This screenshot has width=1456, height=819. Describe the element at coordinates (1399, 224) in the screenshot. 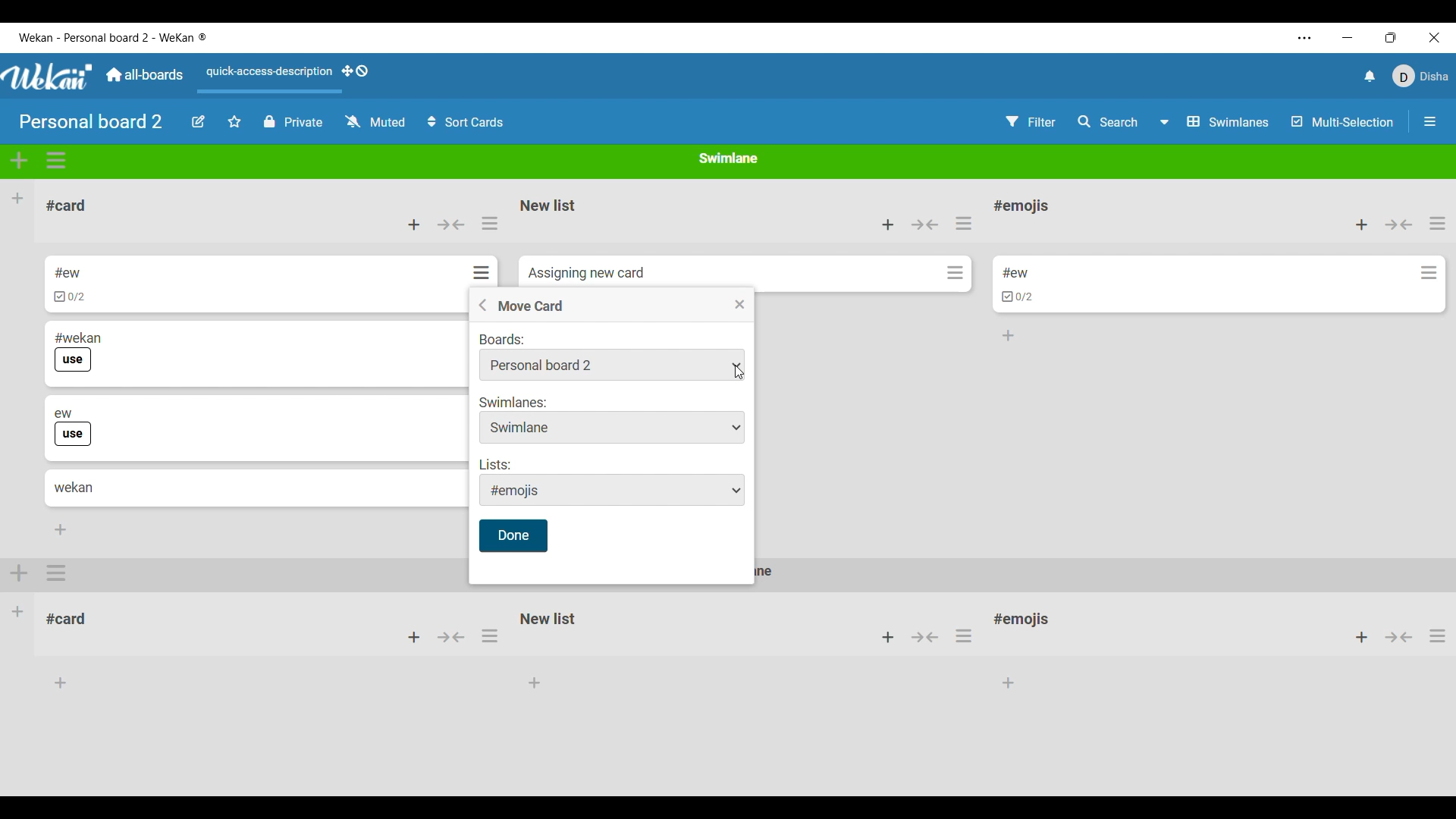

I see `Collapse` at that location.